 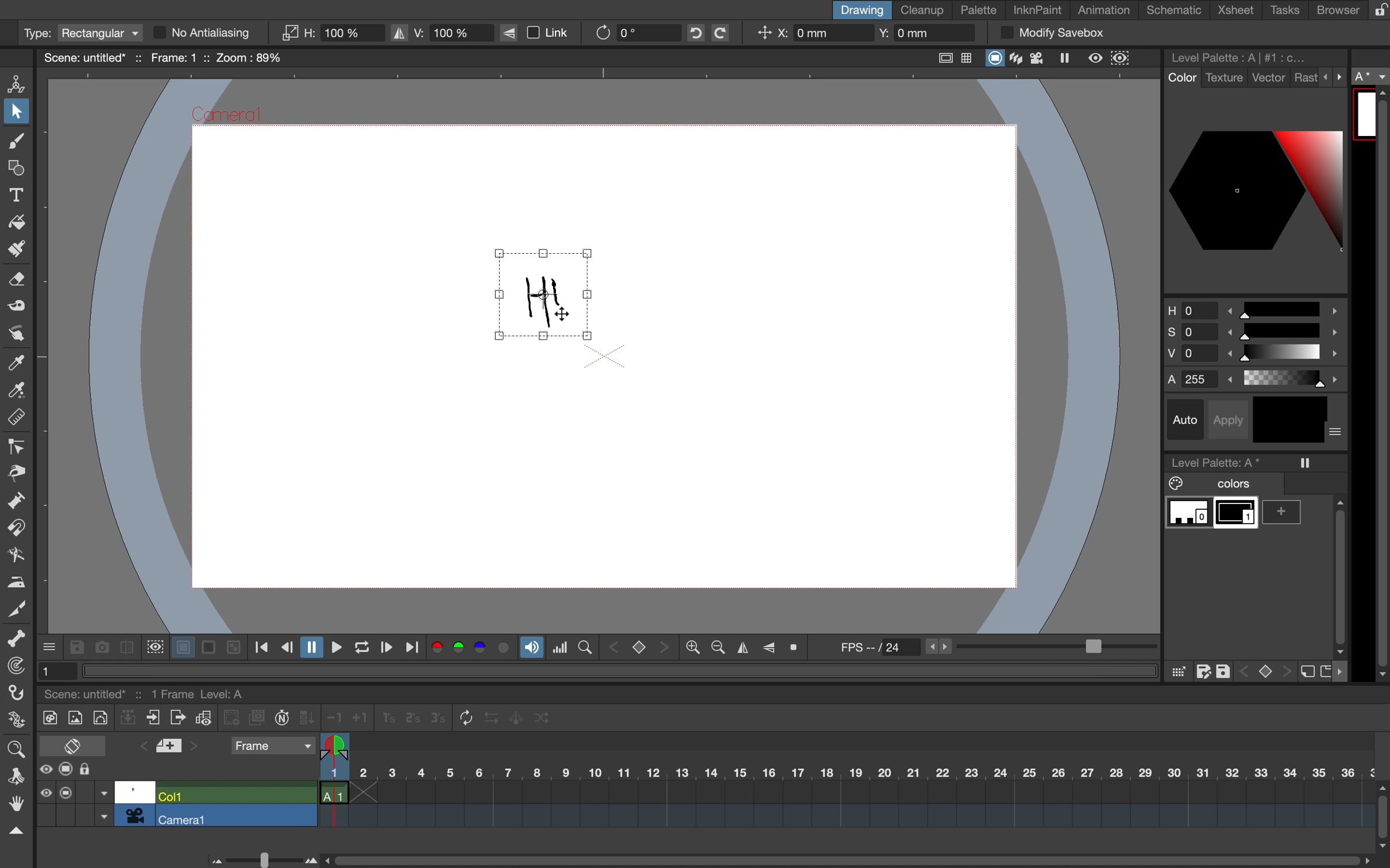 What do you see at coordinates (1344, 672) in the screenshot?
I see `more options` at bounding box center [1344, 672].